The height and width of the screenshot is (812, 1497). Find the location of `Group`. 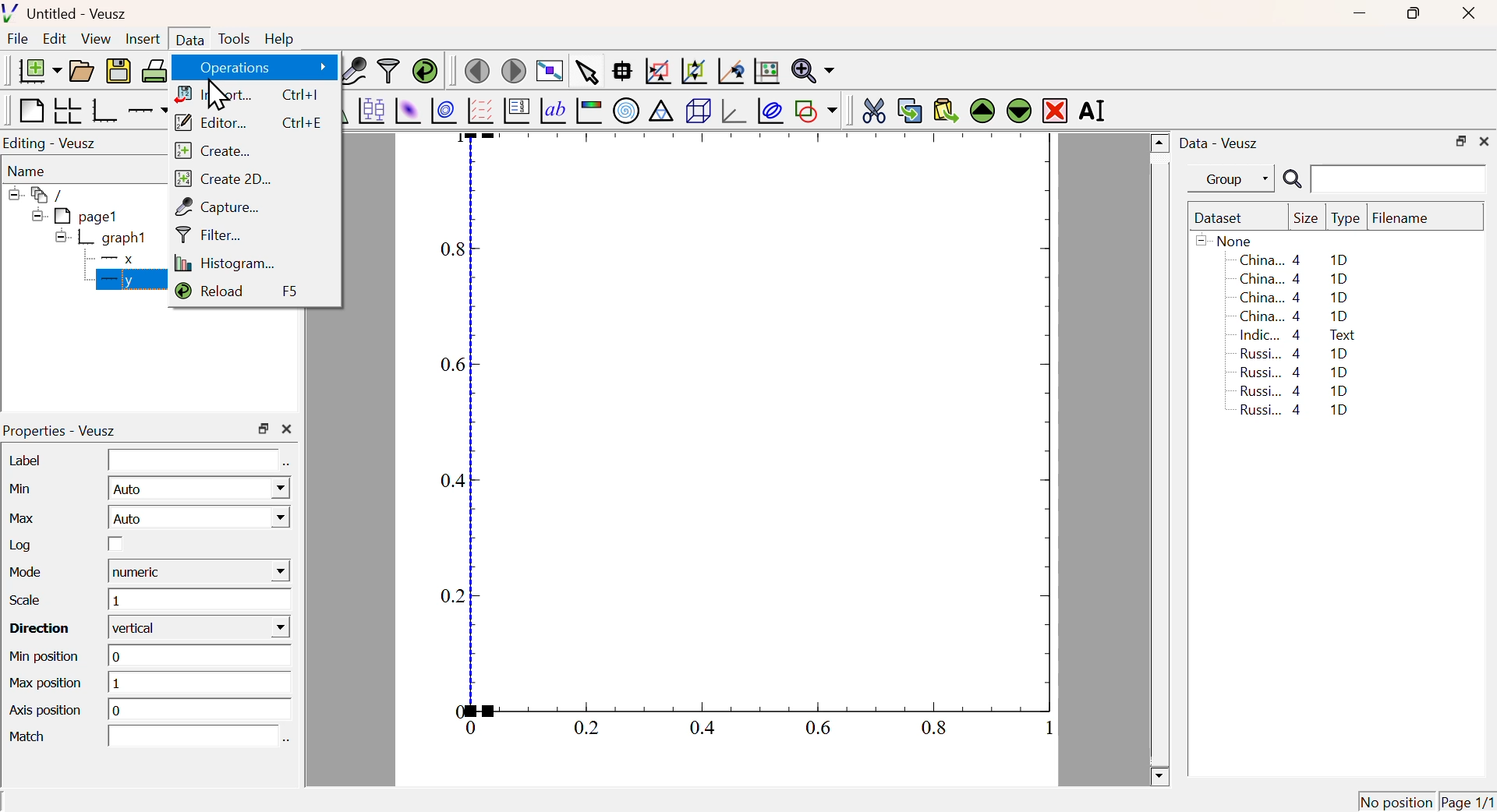

Group is located at coordinates (1236, 180).